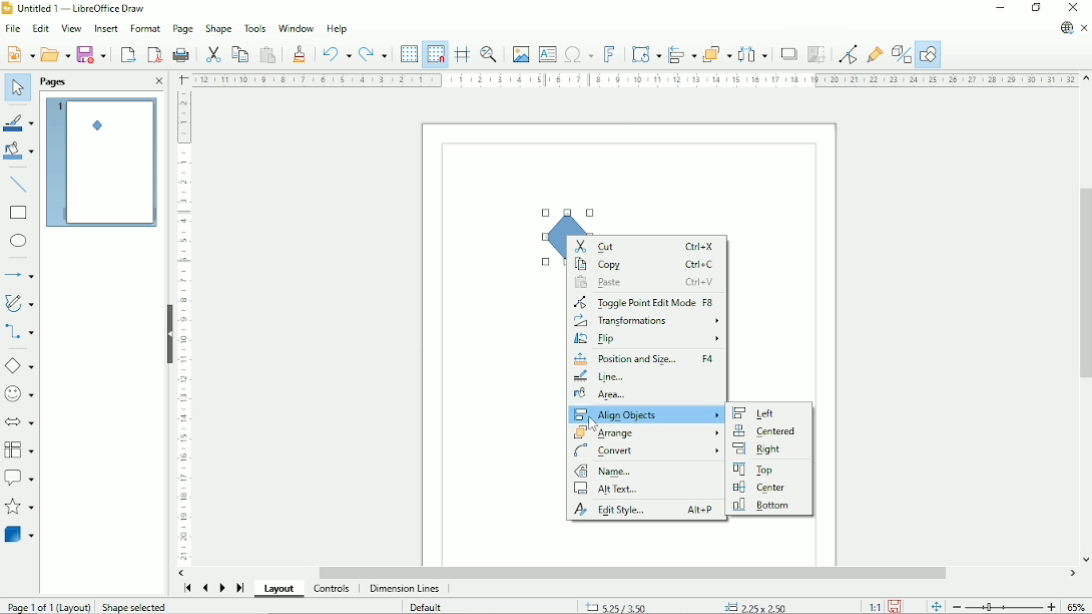 The image size is (1092, 614). Describe the element at coordinates (644, 302) in the screenshot. I see `Toggle point edit mode` at that location.